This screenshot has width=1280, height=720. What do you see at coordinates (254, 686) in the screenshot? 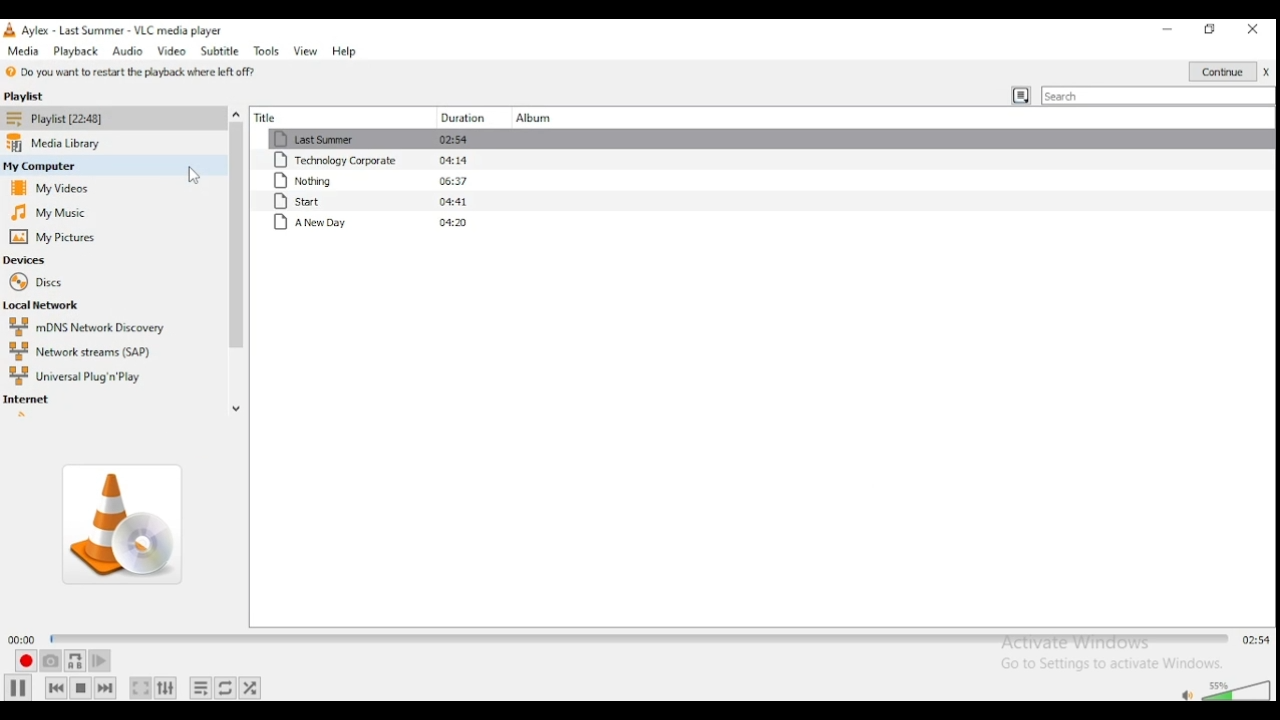
I see `random` at bounding box center [254, 686].